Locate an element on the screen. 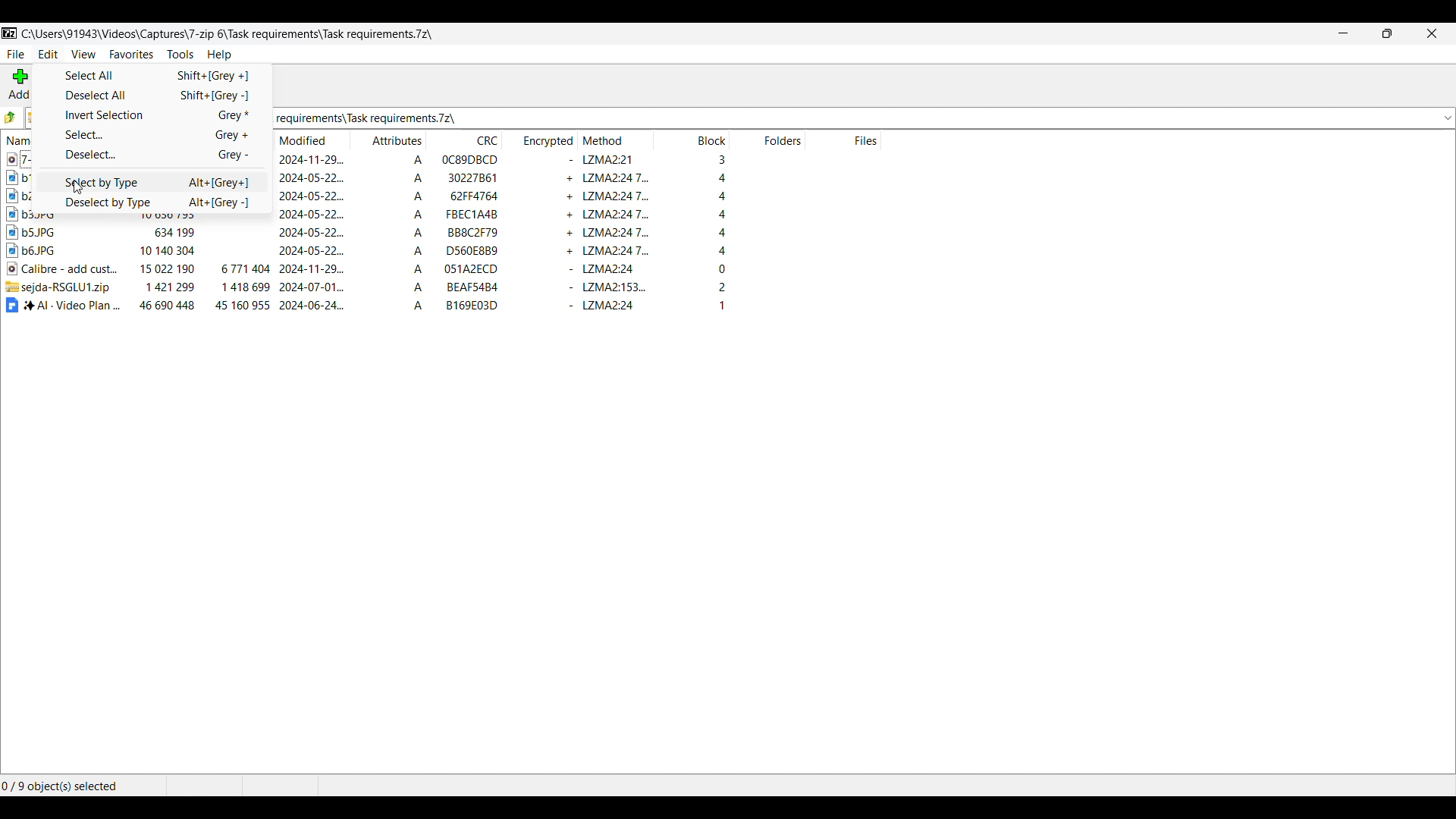 The width and height of the screenshot is (1456, 819). Software logo is located at coordinates (10, 33).